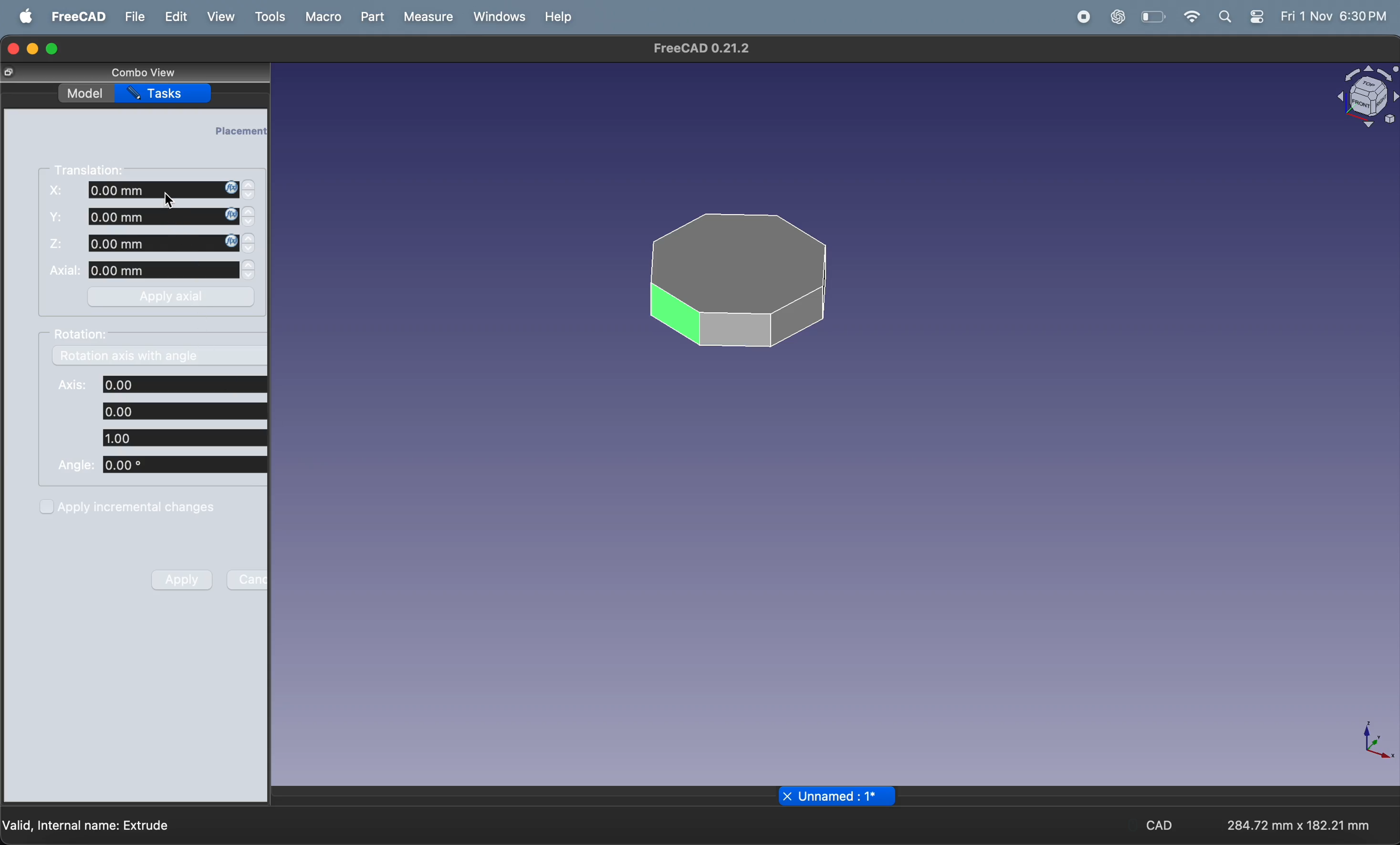  I want to click on cursor, so click(169, 200).